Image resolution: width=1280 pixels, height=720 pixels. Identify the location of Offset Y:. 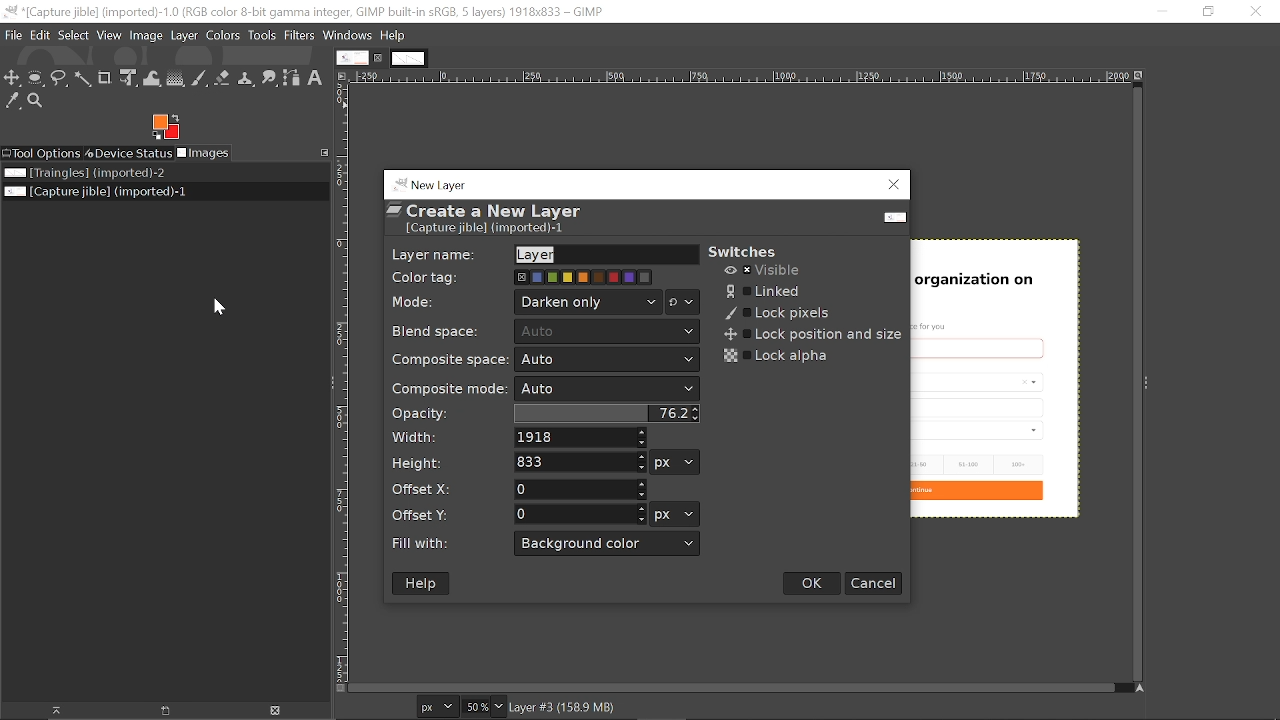
(428, 512).